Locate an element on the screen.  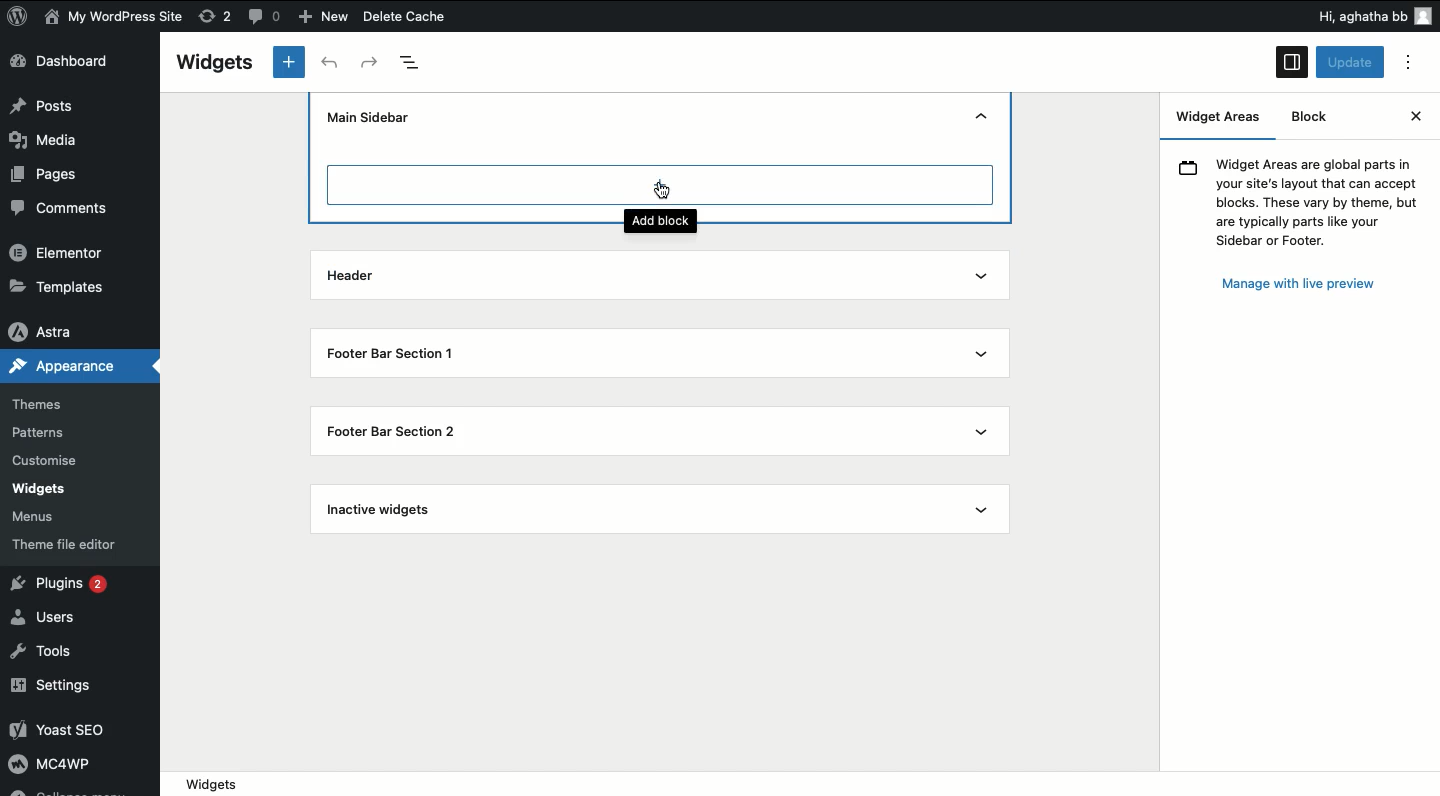
Main sidebar is located at coordinates (369, 117).